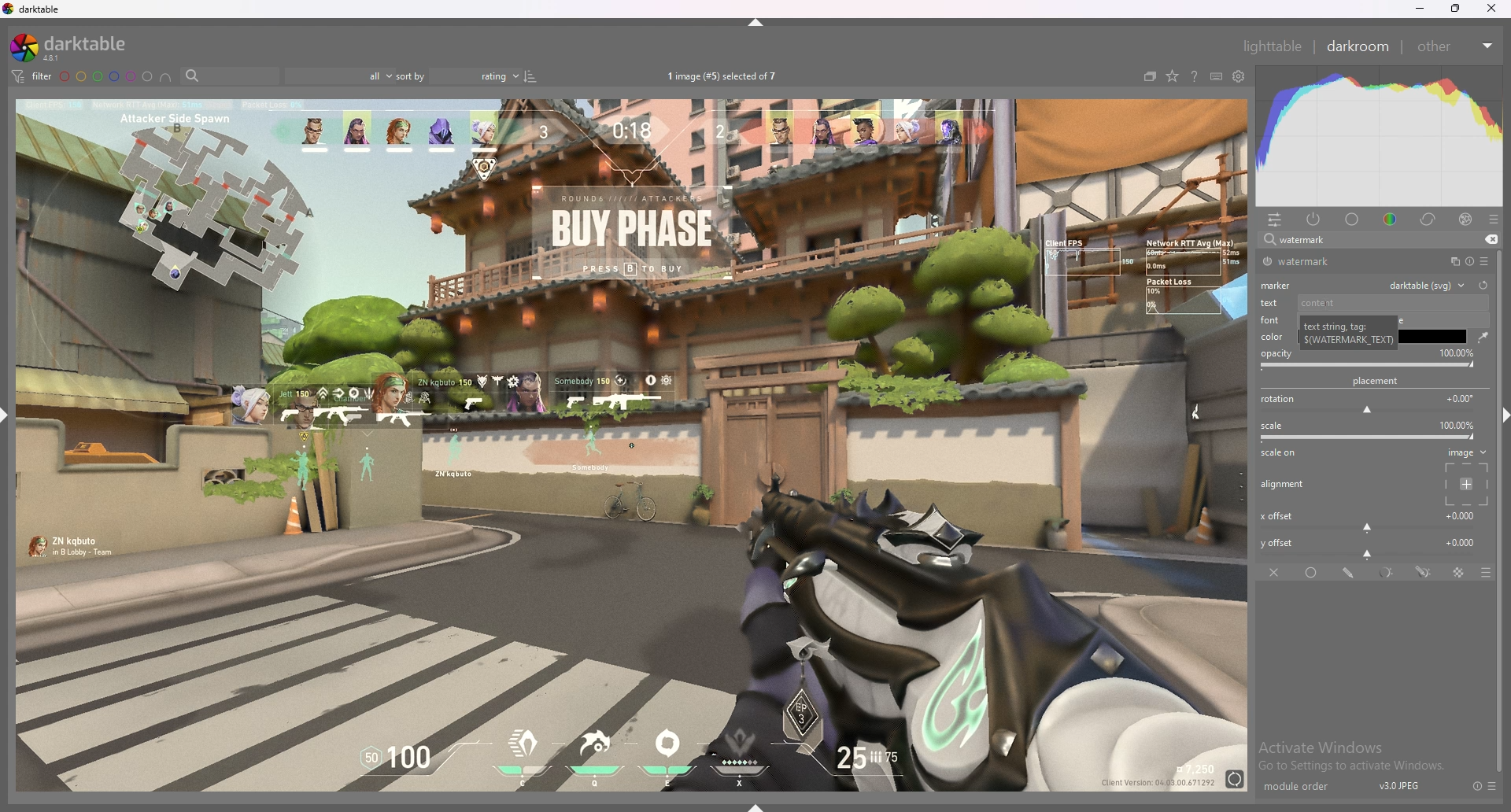 The height and width of the screenshot is (812, 1511). I want to click on filter by rating, so click(338, 76).